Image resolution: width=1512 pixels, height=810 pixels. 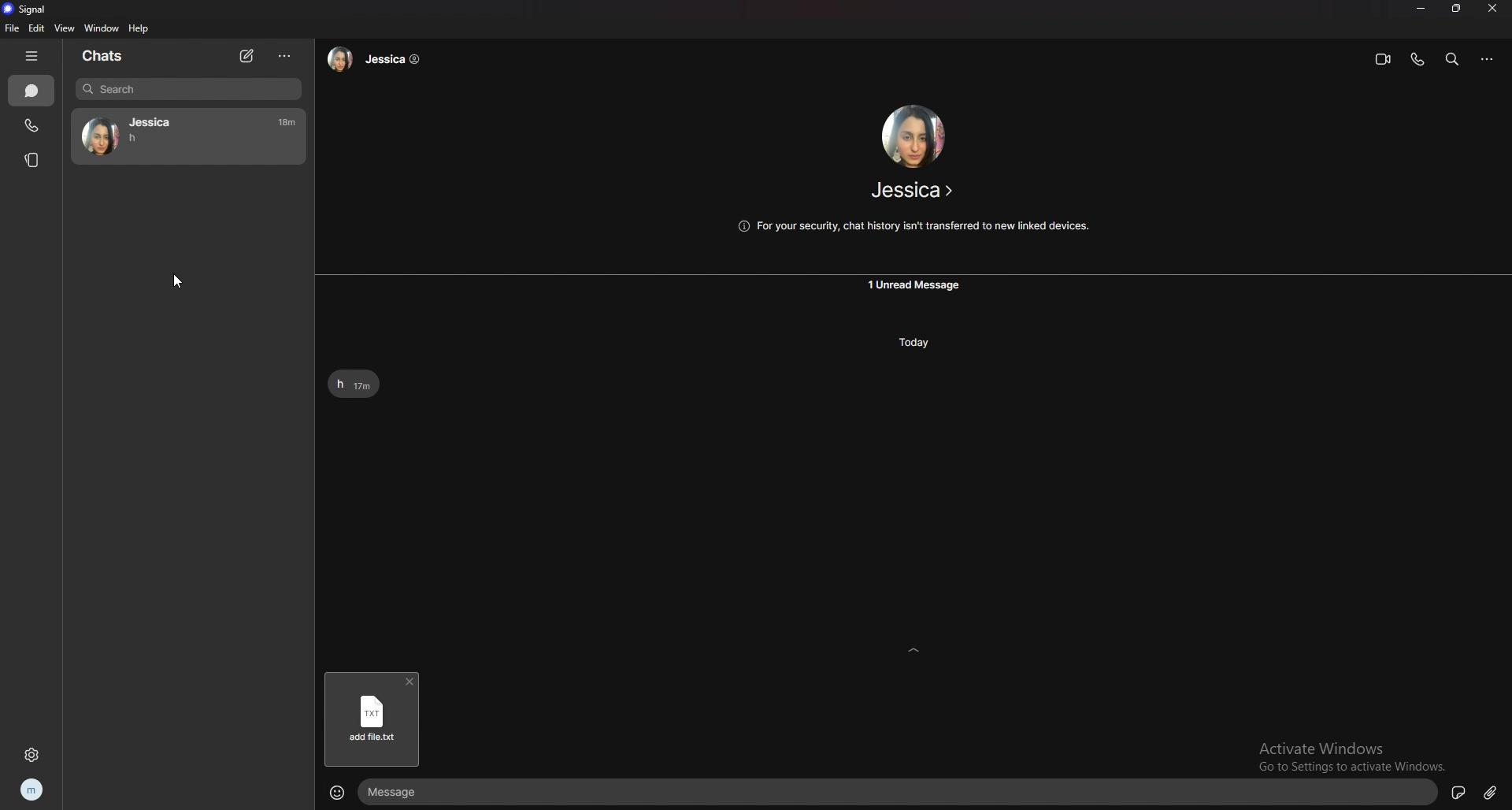 What do you see at coordinates (31, 56) in the screenshot?
I see `hide tab` at bounding box center [31, 56].